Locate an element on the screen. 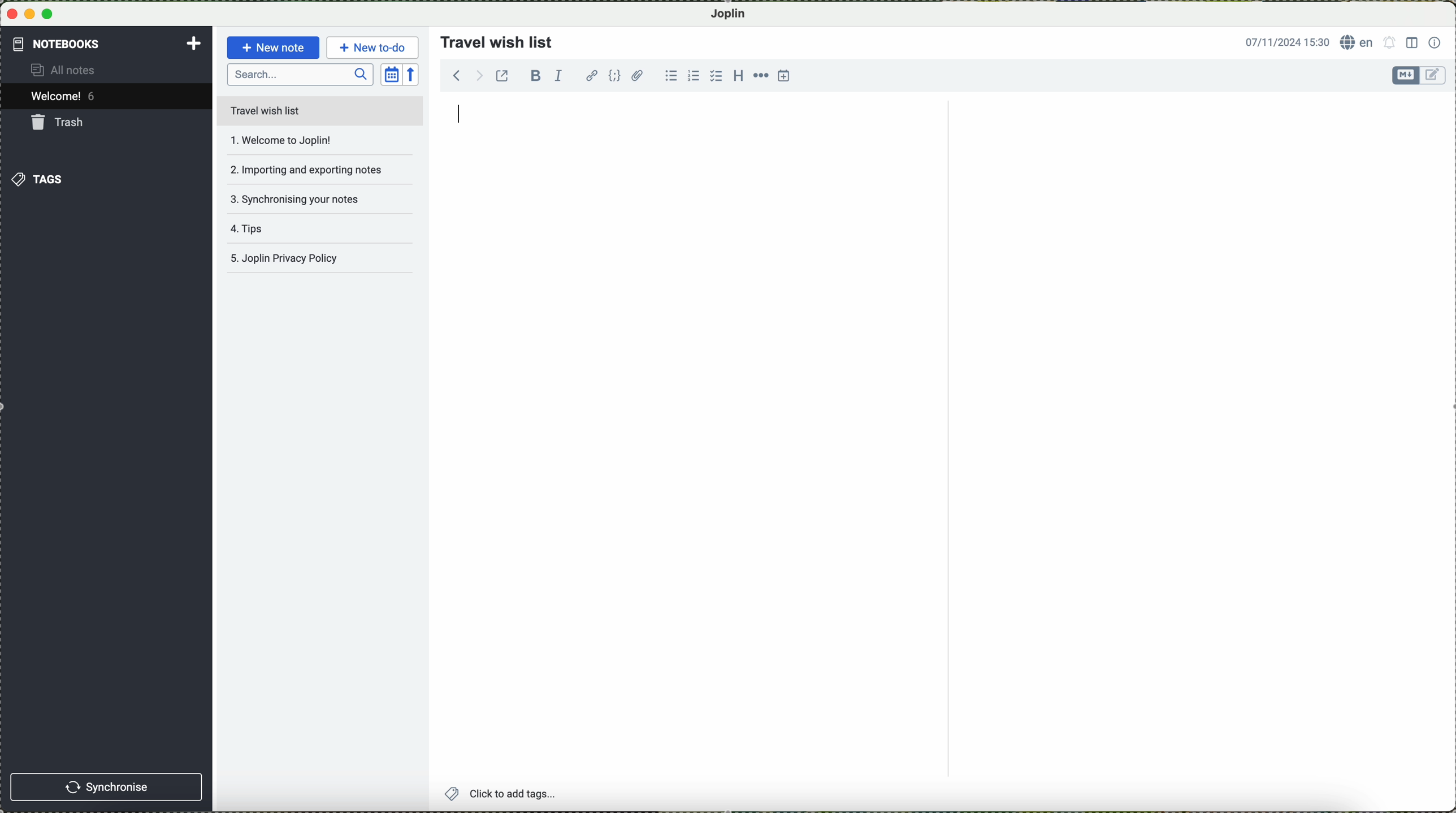 The width and height of the screenshot is (1456, 813). new note button is located at coordinates (271, 47).